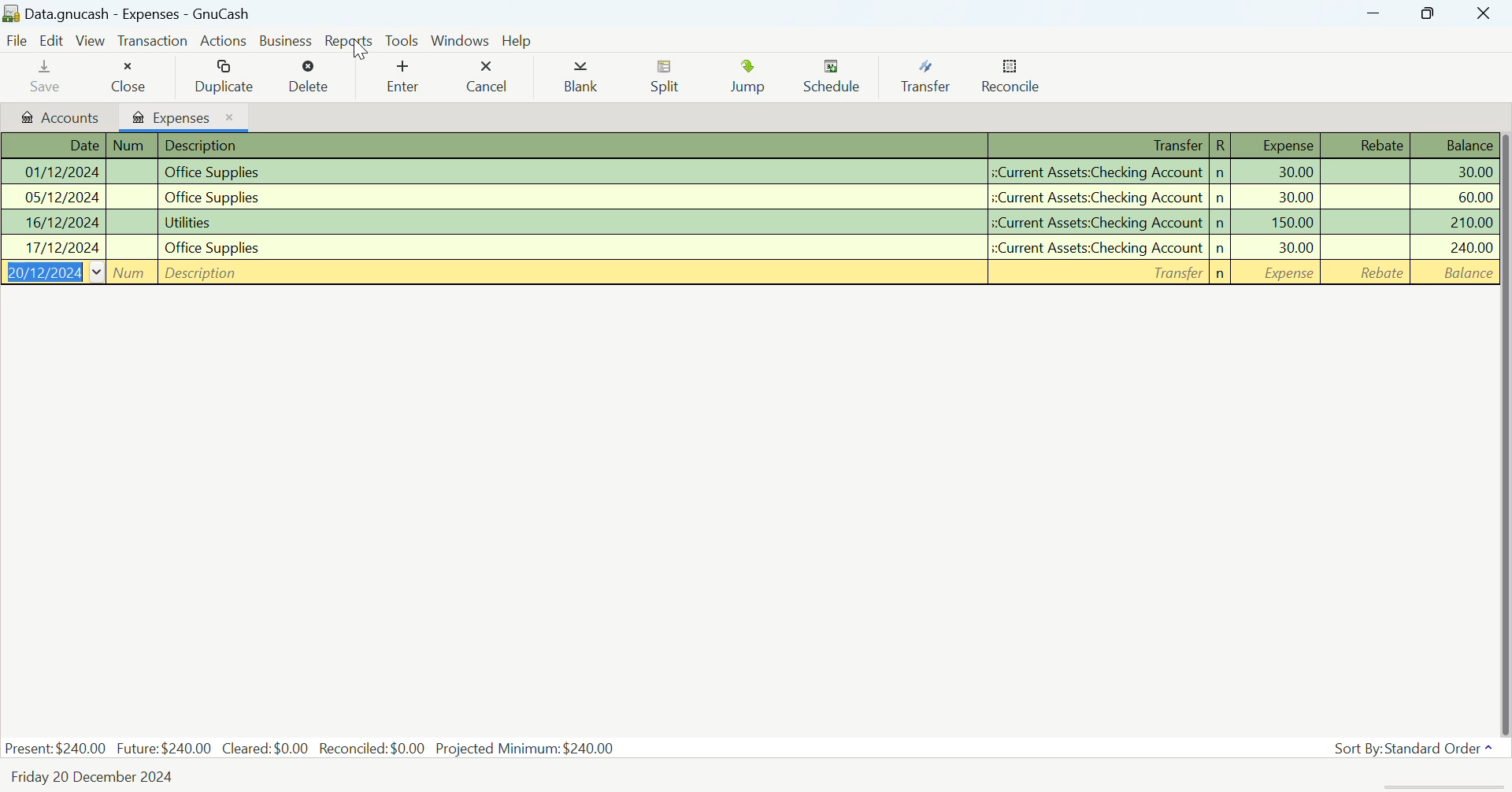 Image resolution: width=1512 pixels, height=792 pixels. I want to click on Cancel, so click(491, 76).